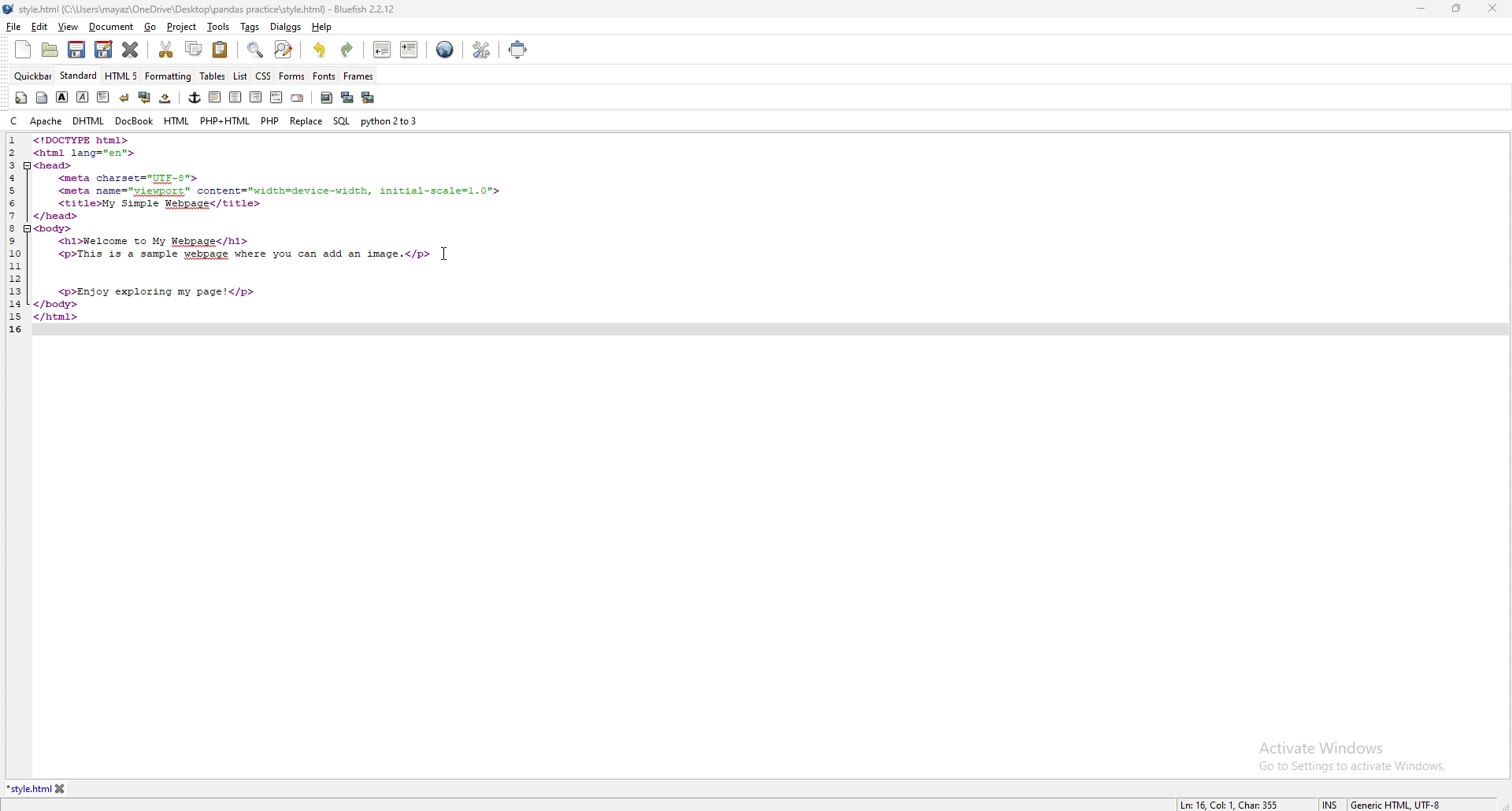 The width and height of the screenshot is (1512, 811). I want to click on <hl>Welcome to My Webpage</hl>, so click(154, 243).